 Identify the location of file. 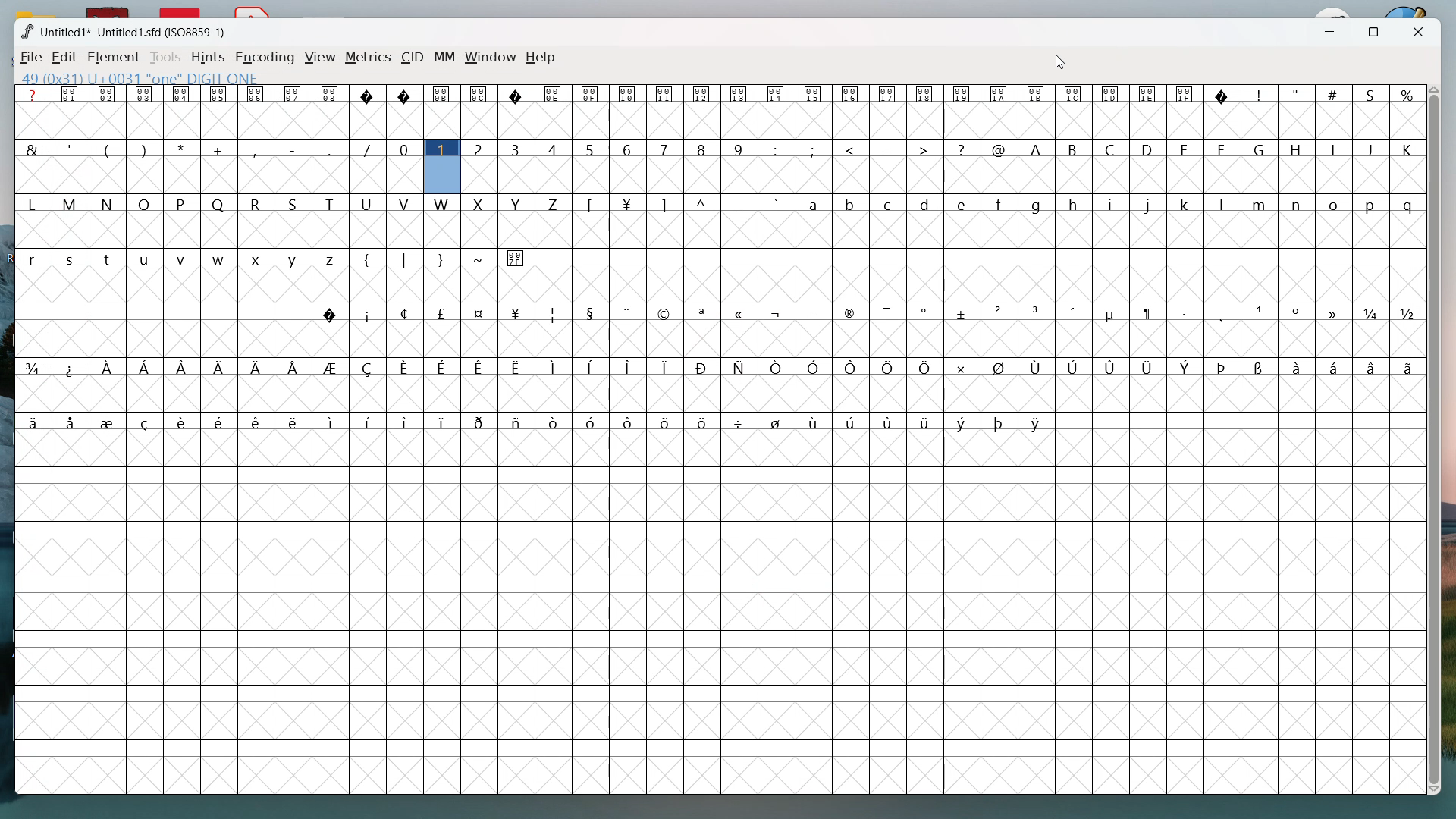
(32, 58).